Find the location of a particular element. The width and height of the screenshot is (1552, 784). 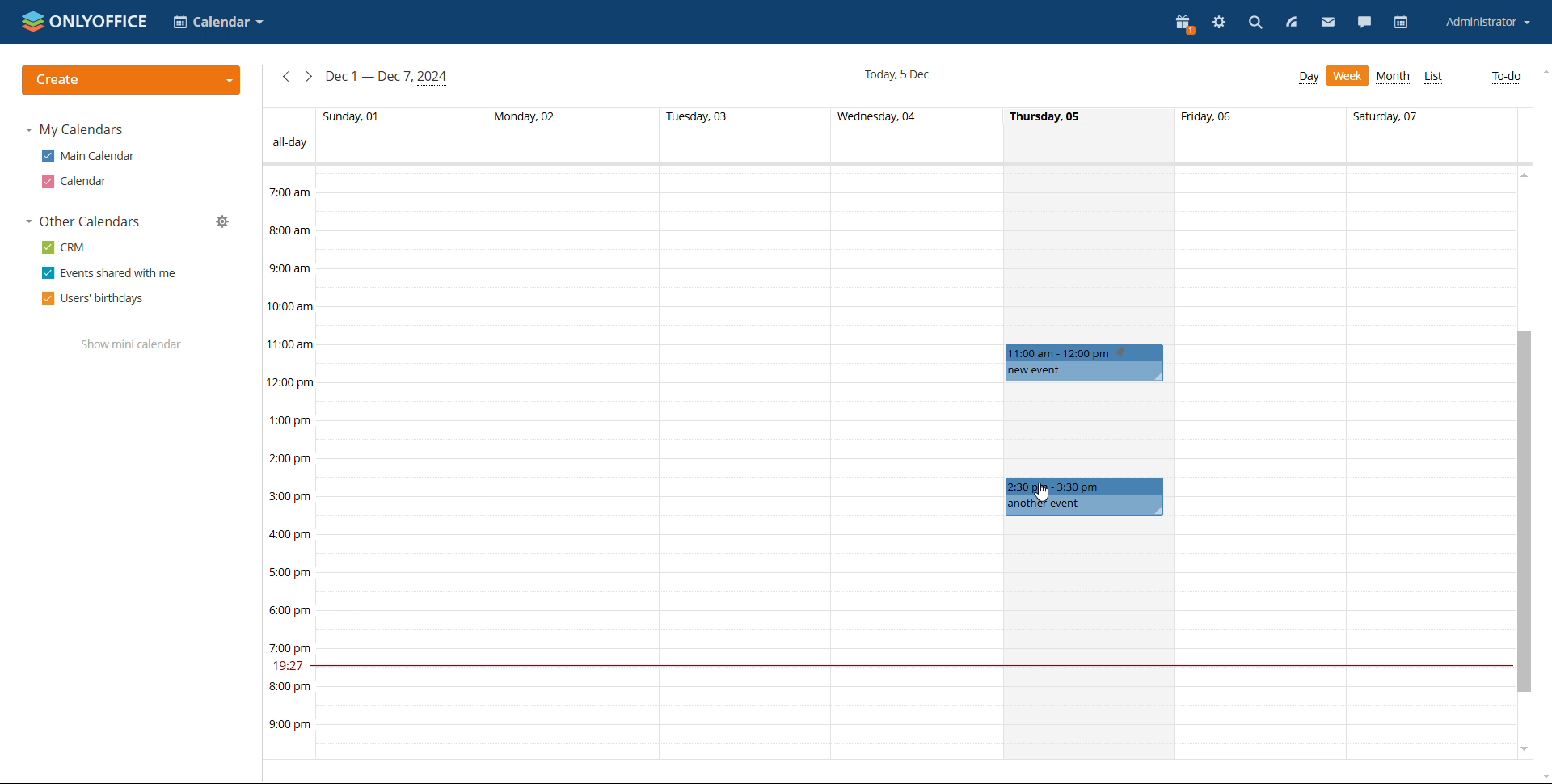

chat is located at coordinates (1364, 24).